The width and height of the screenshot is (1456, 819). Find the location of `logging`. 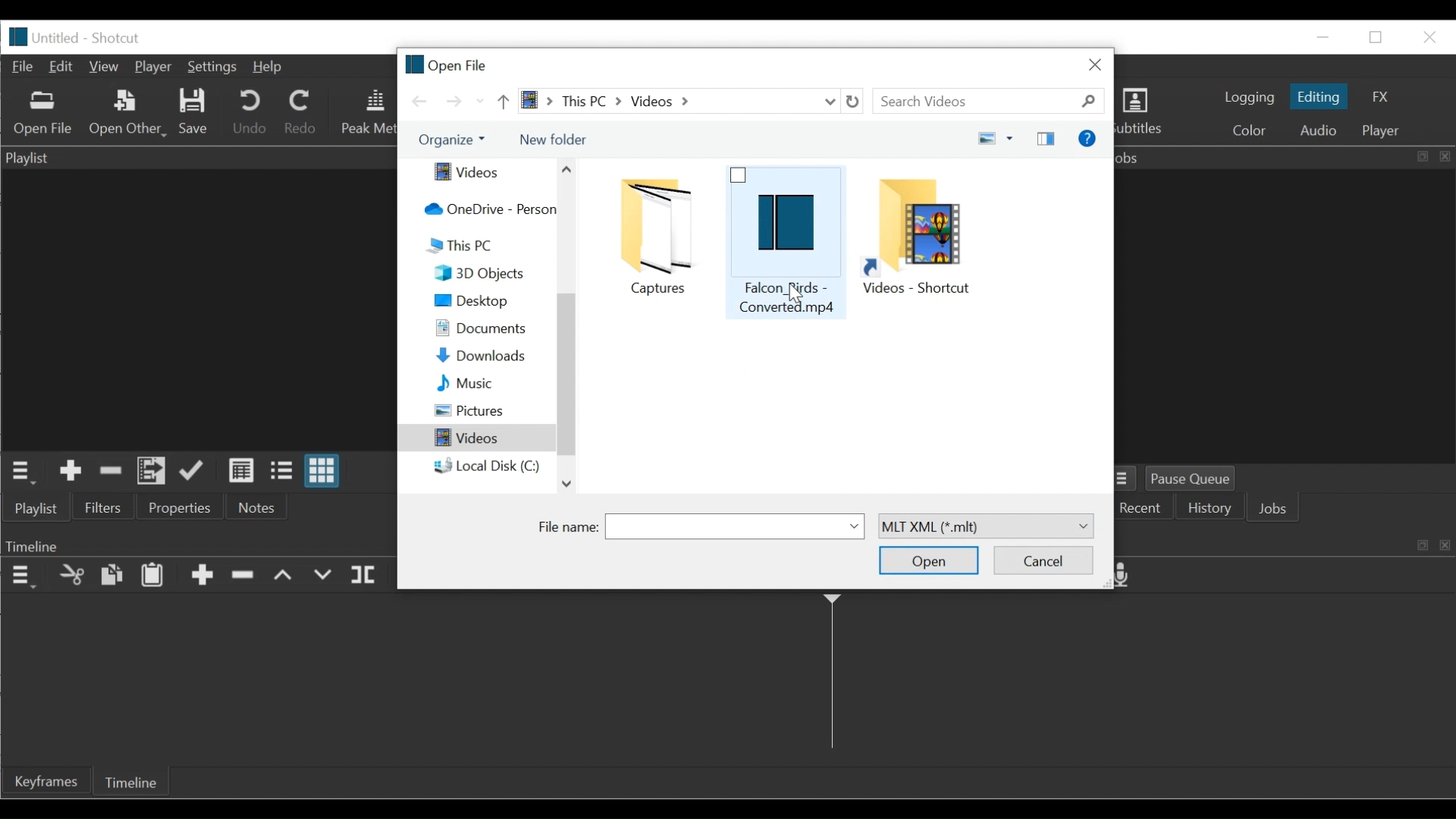

logging is located at coordinates (1247, 99).